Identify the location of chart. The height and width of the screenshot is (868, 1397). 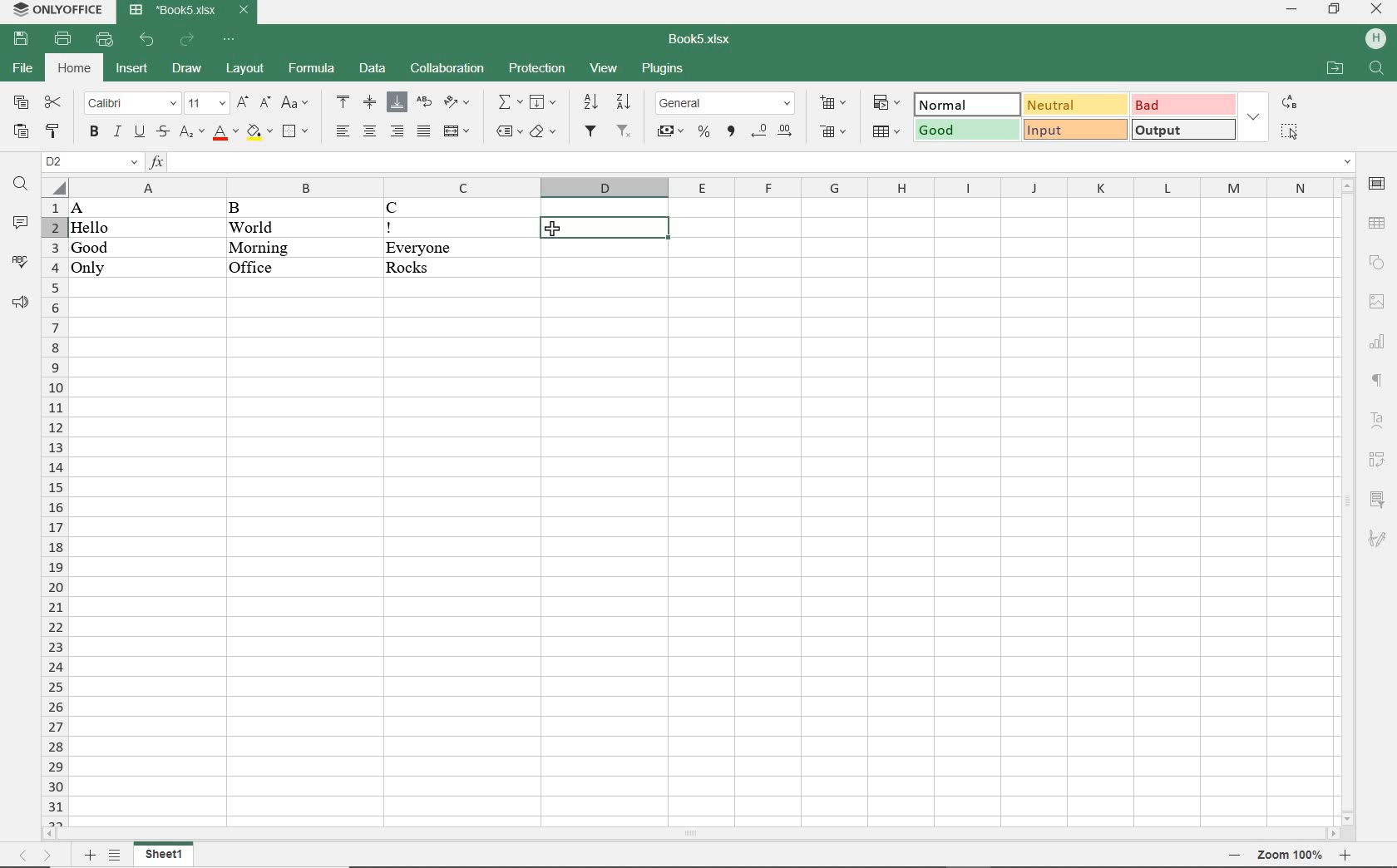
(1379, 343).